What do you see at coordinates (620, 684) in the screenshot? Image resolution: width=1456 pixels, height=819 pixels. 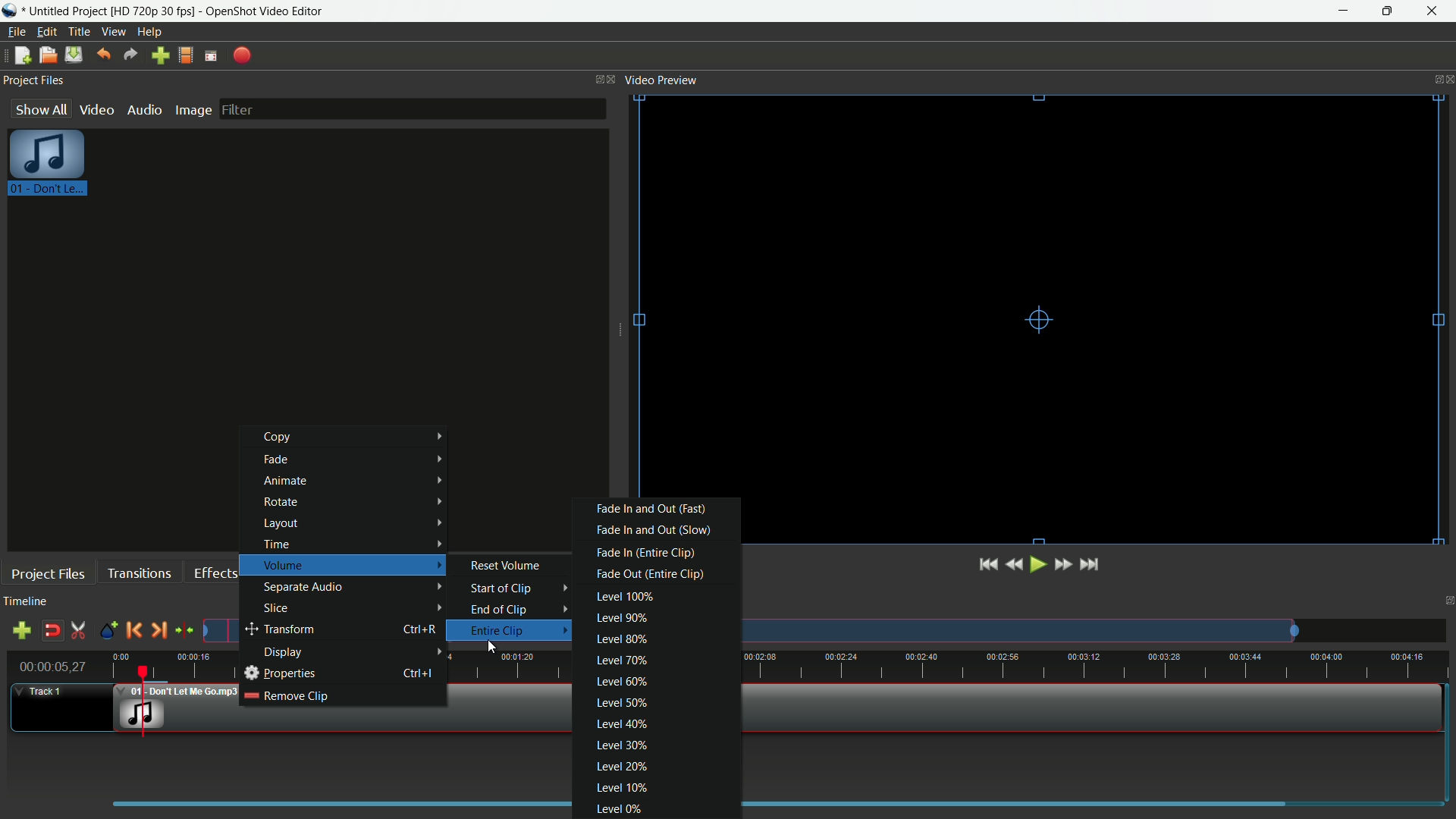 I see `level 60%` at bounding box center [620, 684].